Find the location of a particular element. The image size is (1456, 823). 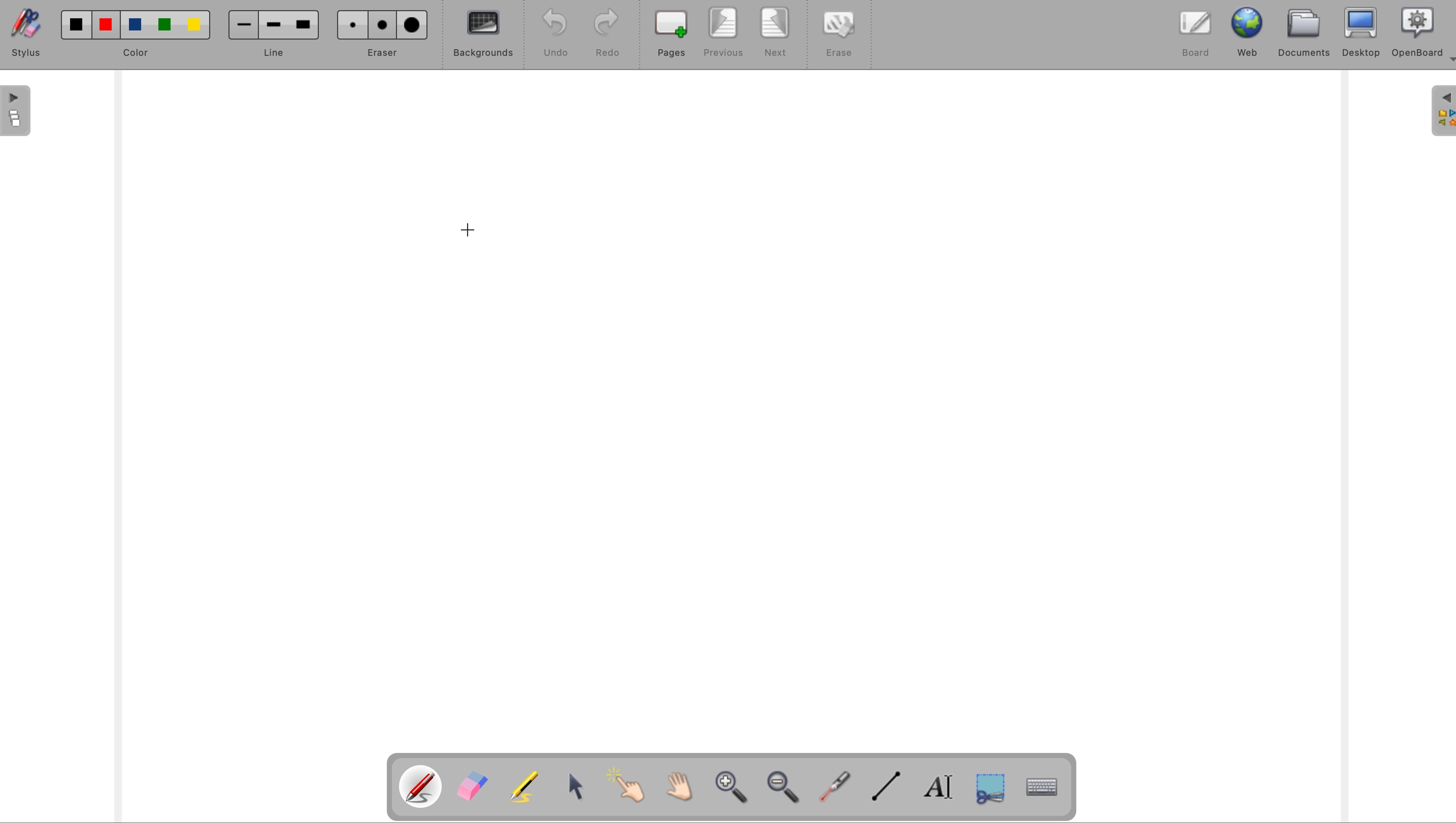

pages is located at coordinates (673, 34).